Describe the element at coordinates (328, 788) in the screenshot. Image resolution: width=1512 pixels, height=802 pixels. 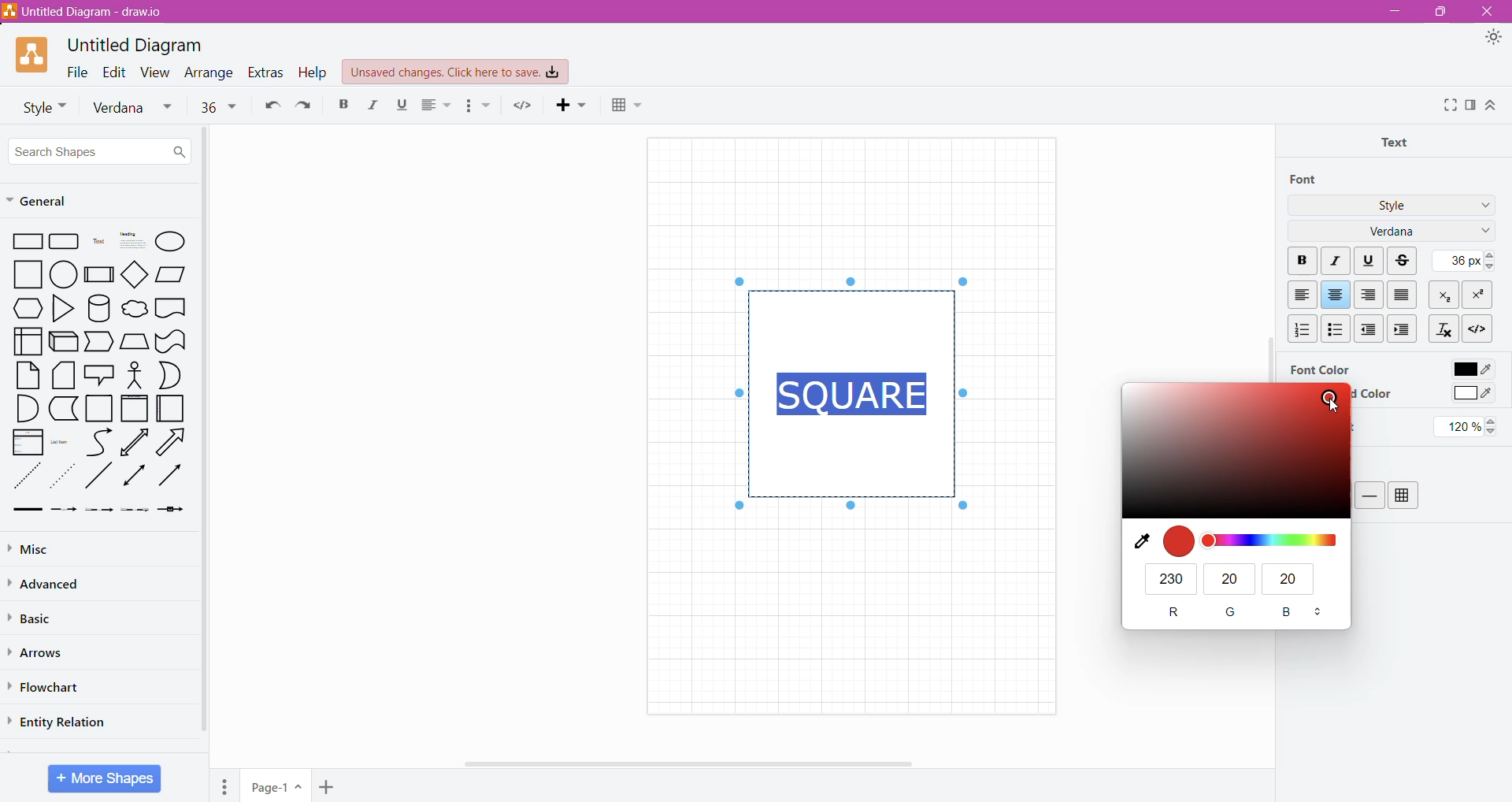
I see `Add Pages` at that location.